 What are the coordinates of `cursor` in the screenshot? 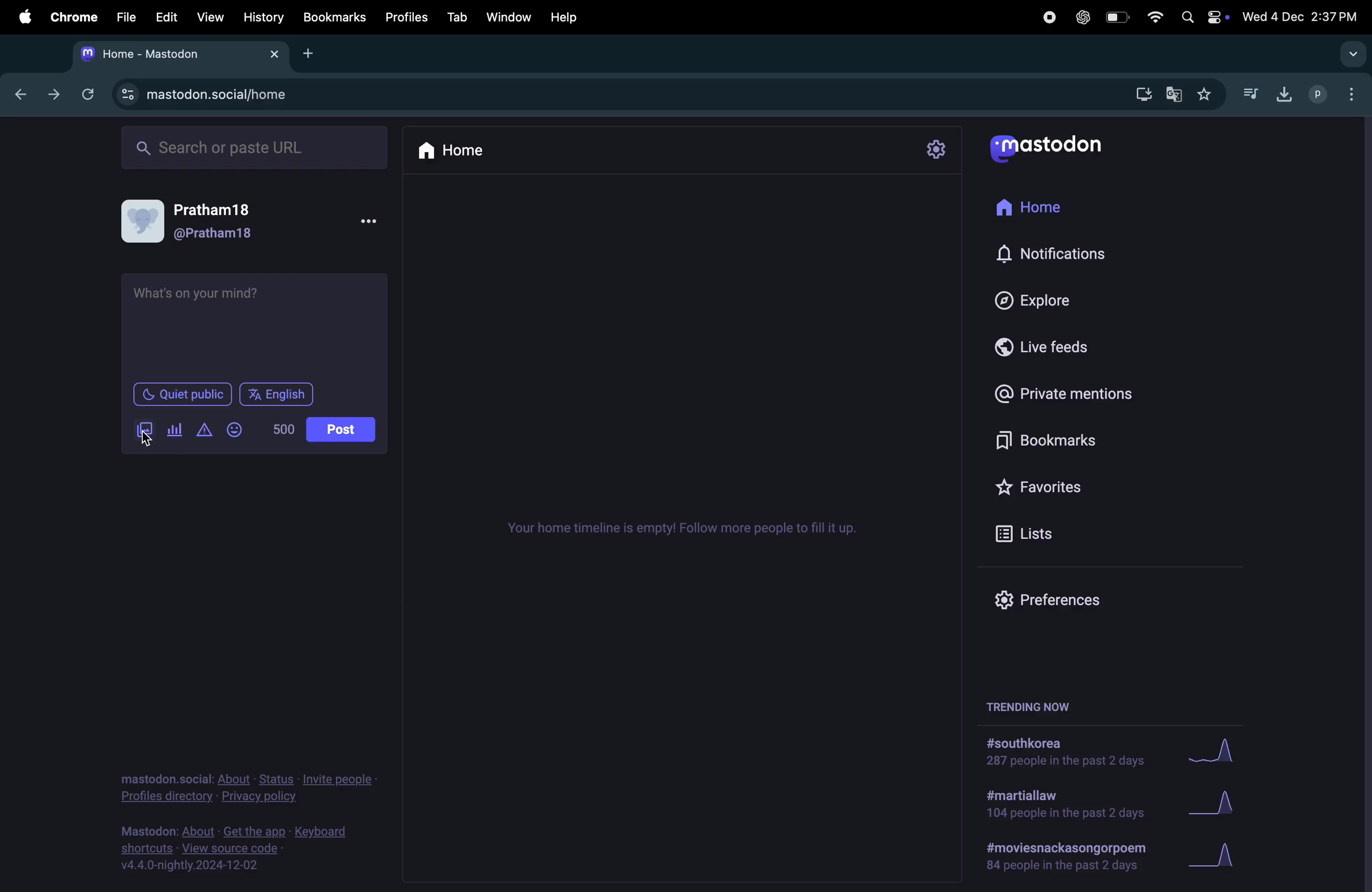 It's located at (148, 439).